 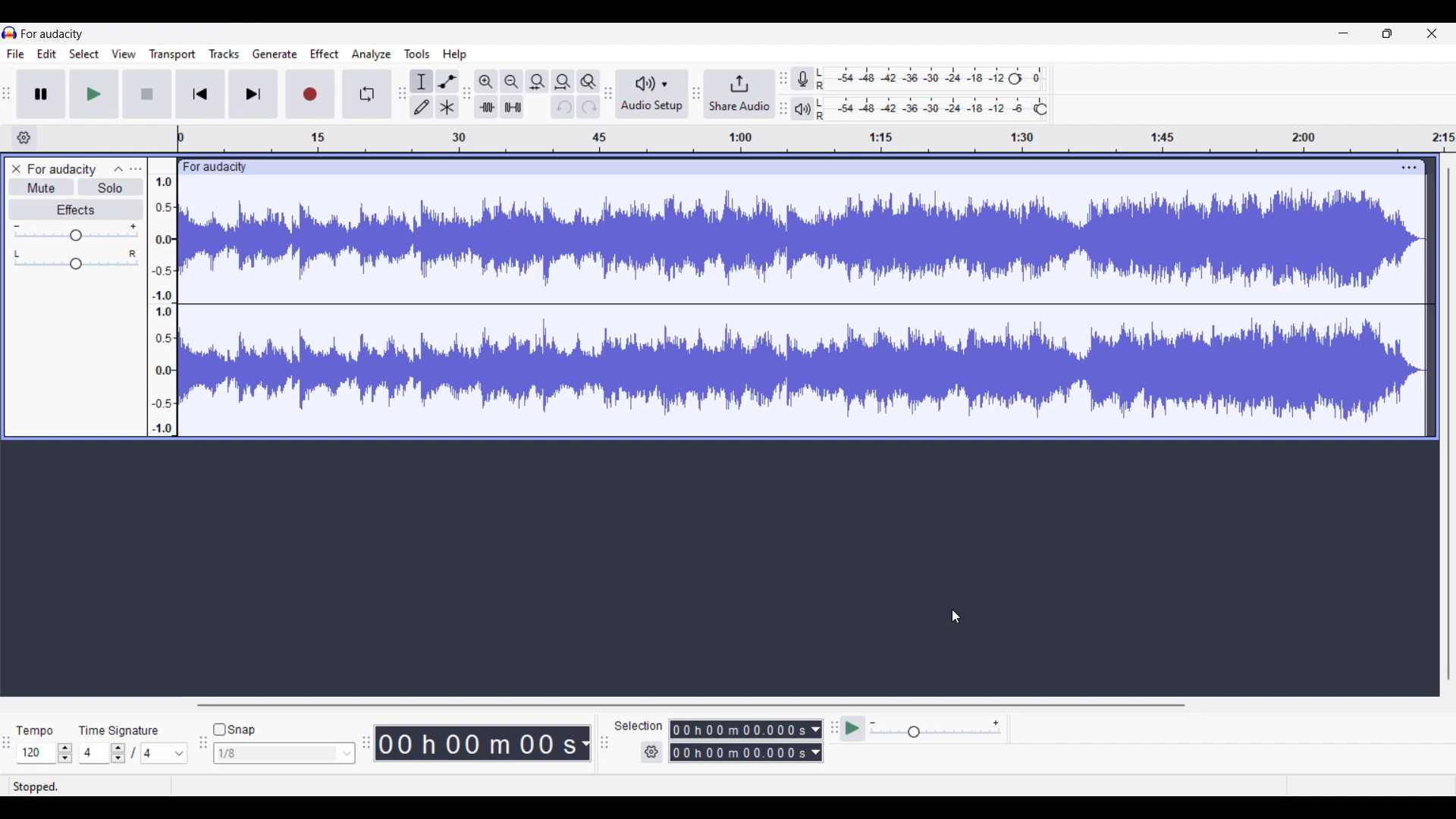 I want to click on Indicates time signature settings, so click(x=119, y=730).